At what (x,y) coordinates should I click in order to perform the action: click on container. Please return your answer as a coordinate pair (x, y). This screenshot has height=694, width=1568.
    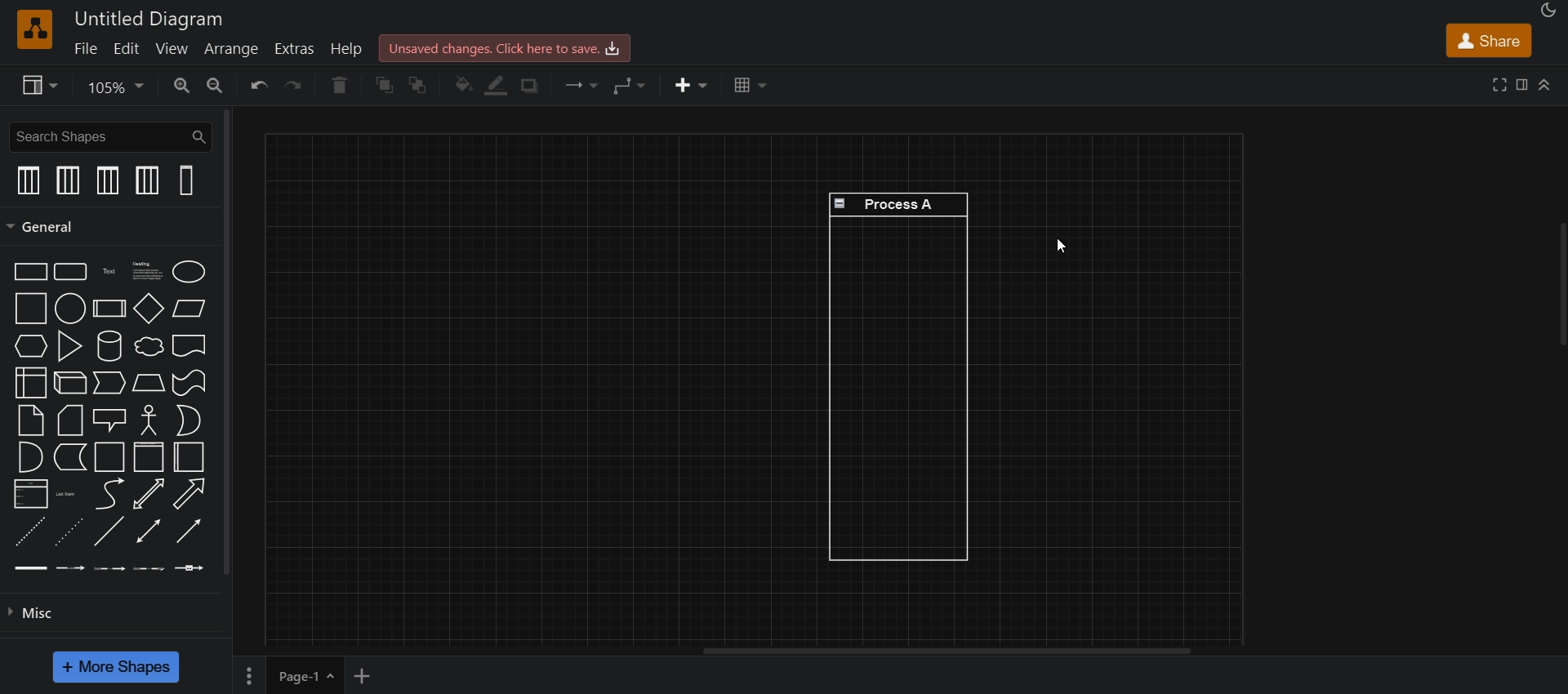
    Looking at the image, I should click on (109, 457).